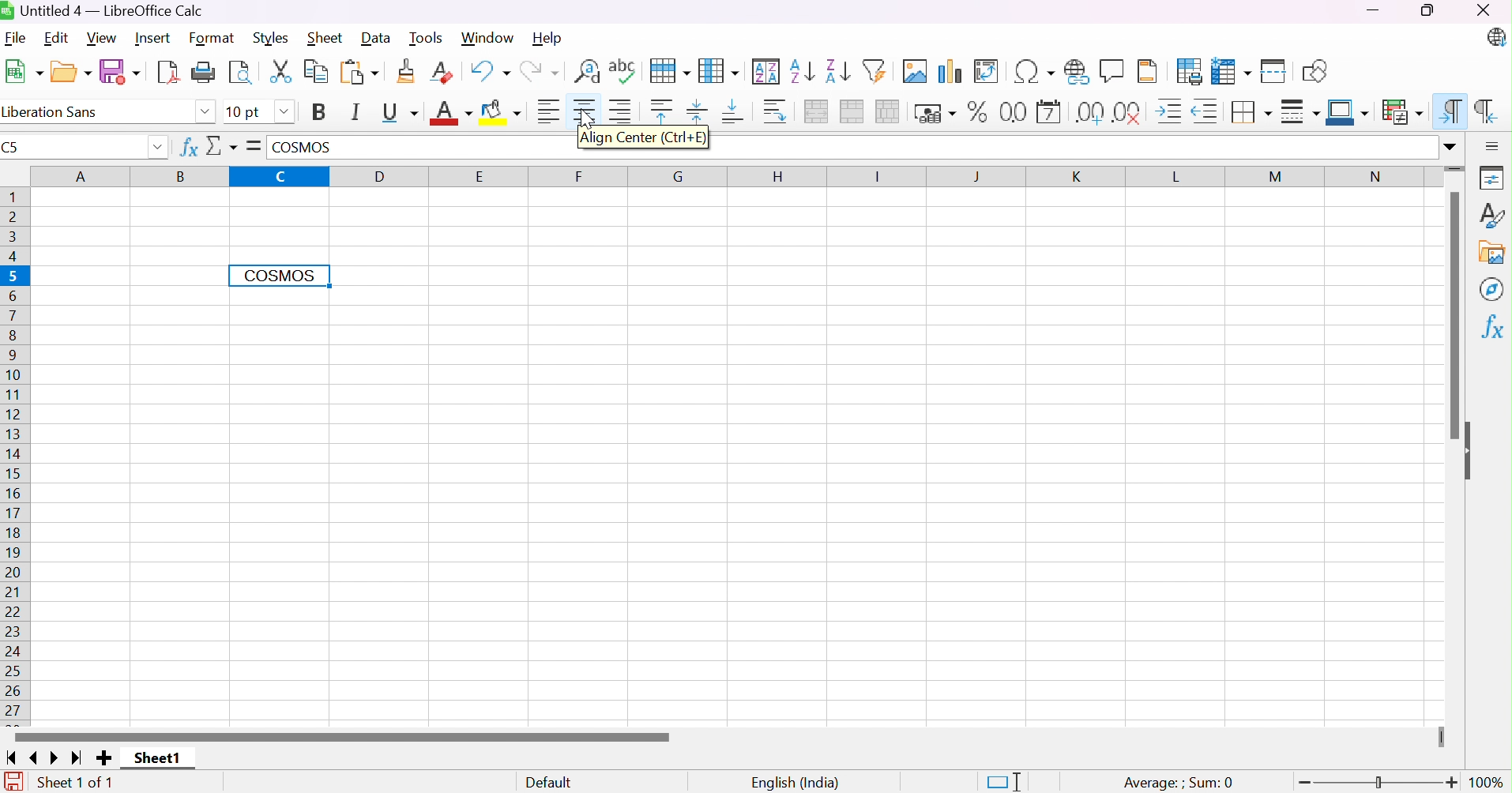  What do you see at coordinates (1482, 10) in the screenshot?
I see `Close` at bounding box center [1482, 10].